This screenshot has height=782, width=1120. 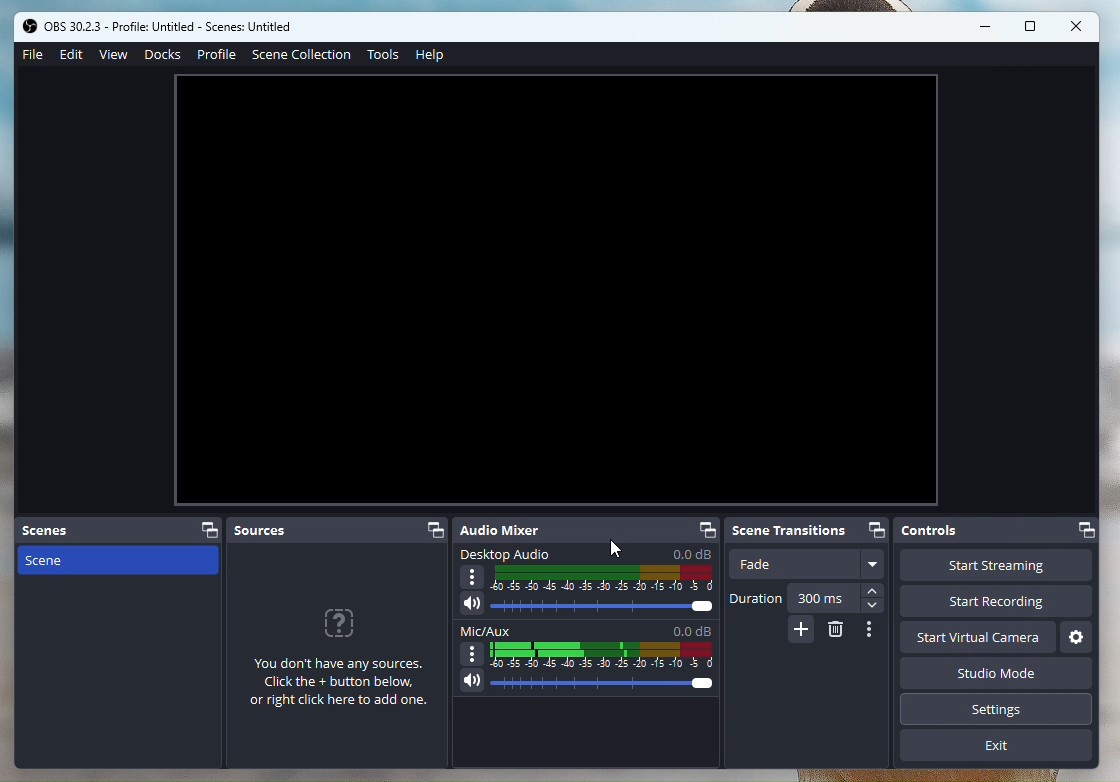 What do you see at coordinates (808, 600) in the screenshot?
I see `Duration` at bounding box center [808, 600].